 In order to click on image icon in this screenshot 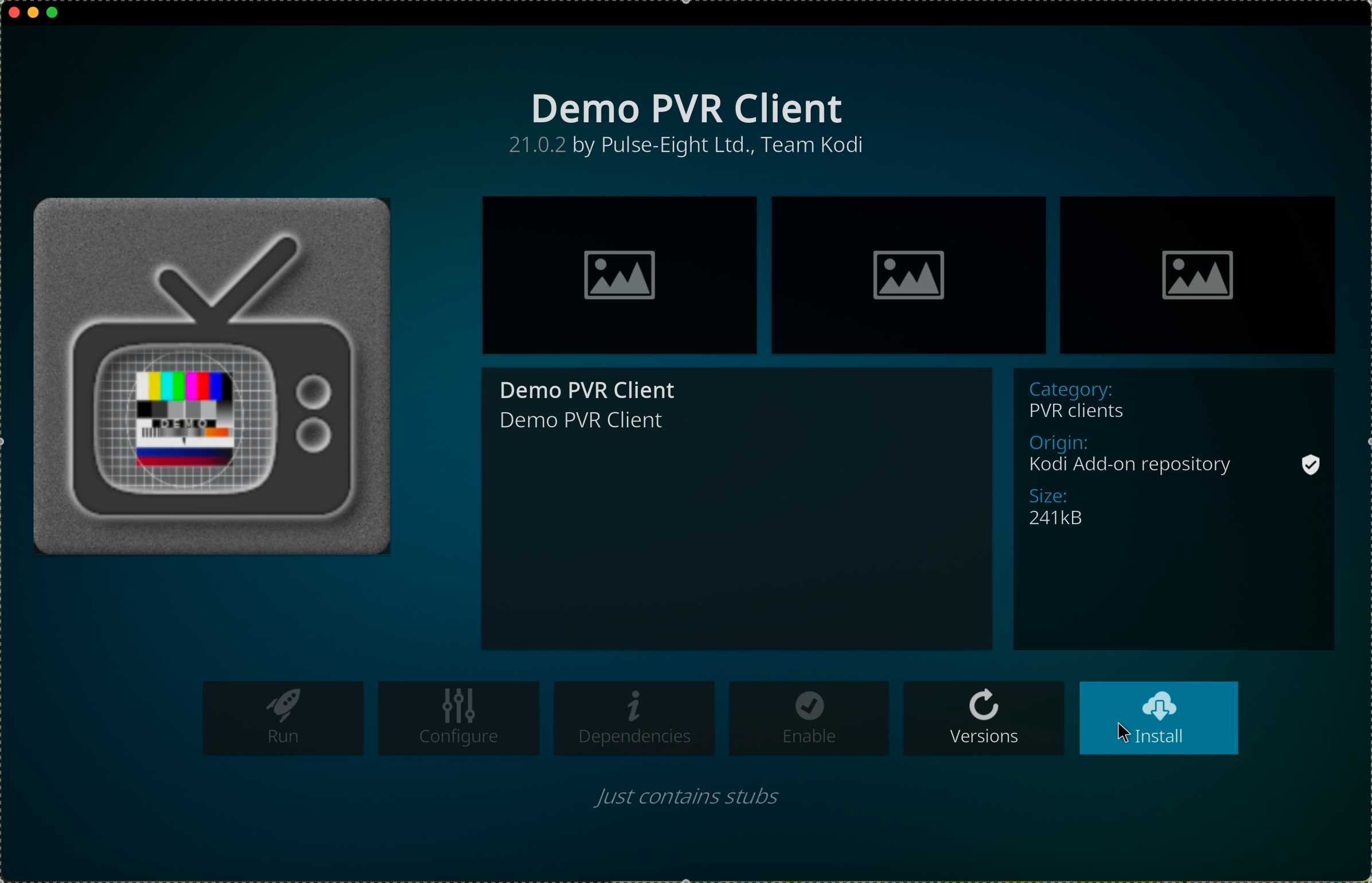, I will do `click(907, 275)`.